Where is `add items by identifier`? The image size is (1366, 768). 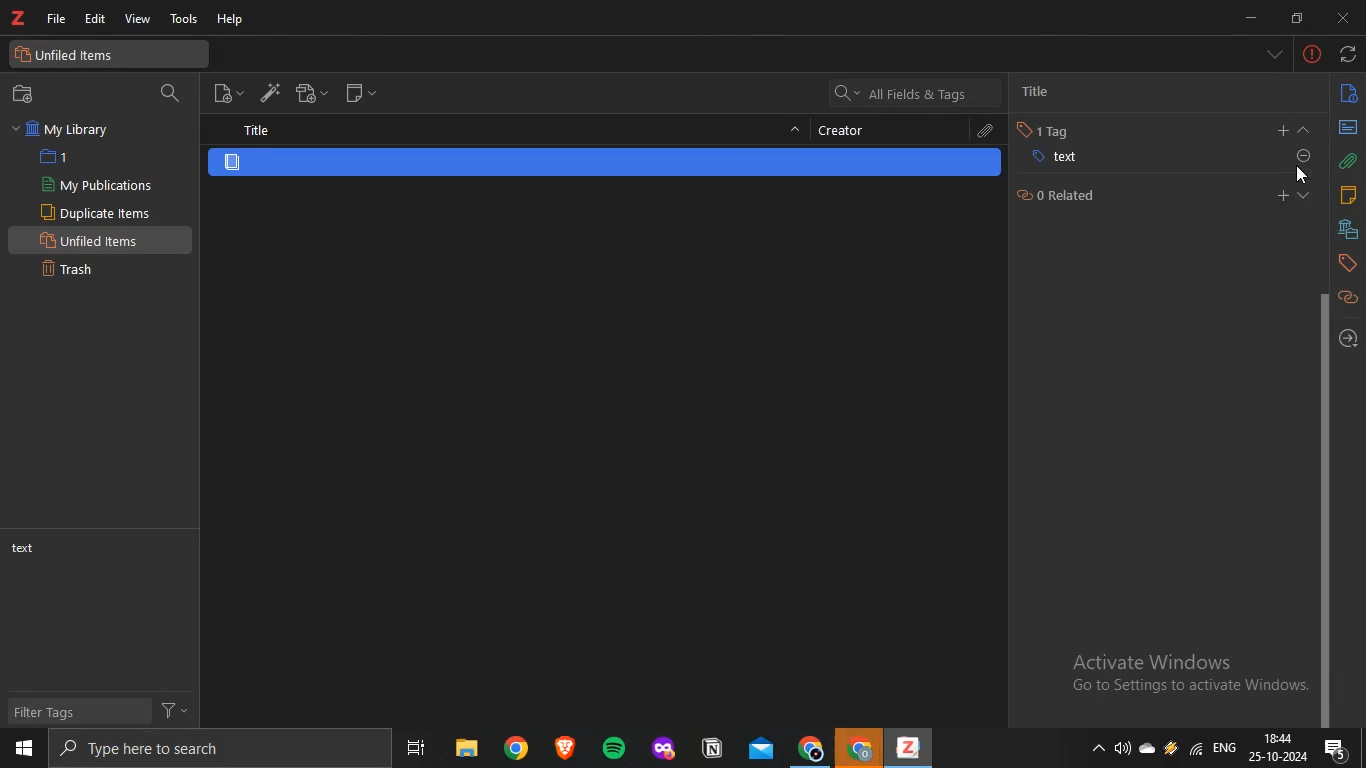 add items by identifier is located at coordinates (270, 92).